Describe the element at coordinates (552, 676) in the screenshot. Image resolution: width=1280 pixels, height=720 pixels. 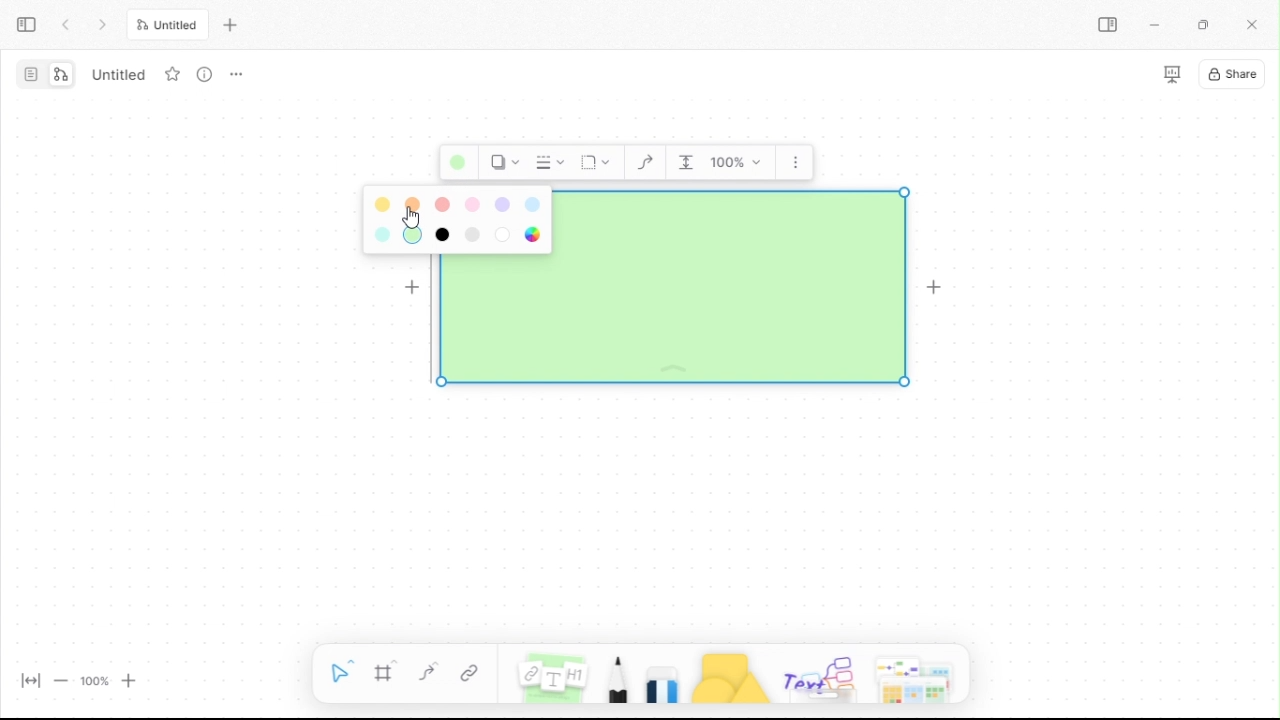
I see `notes` at that location.